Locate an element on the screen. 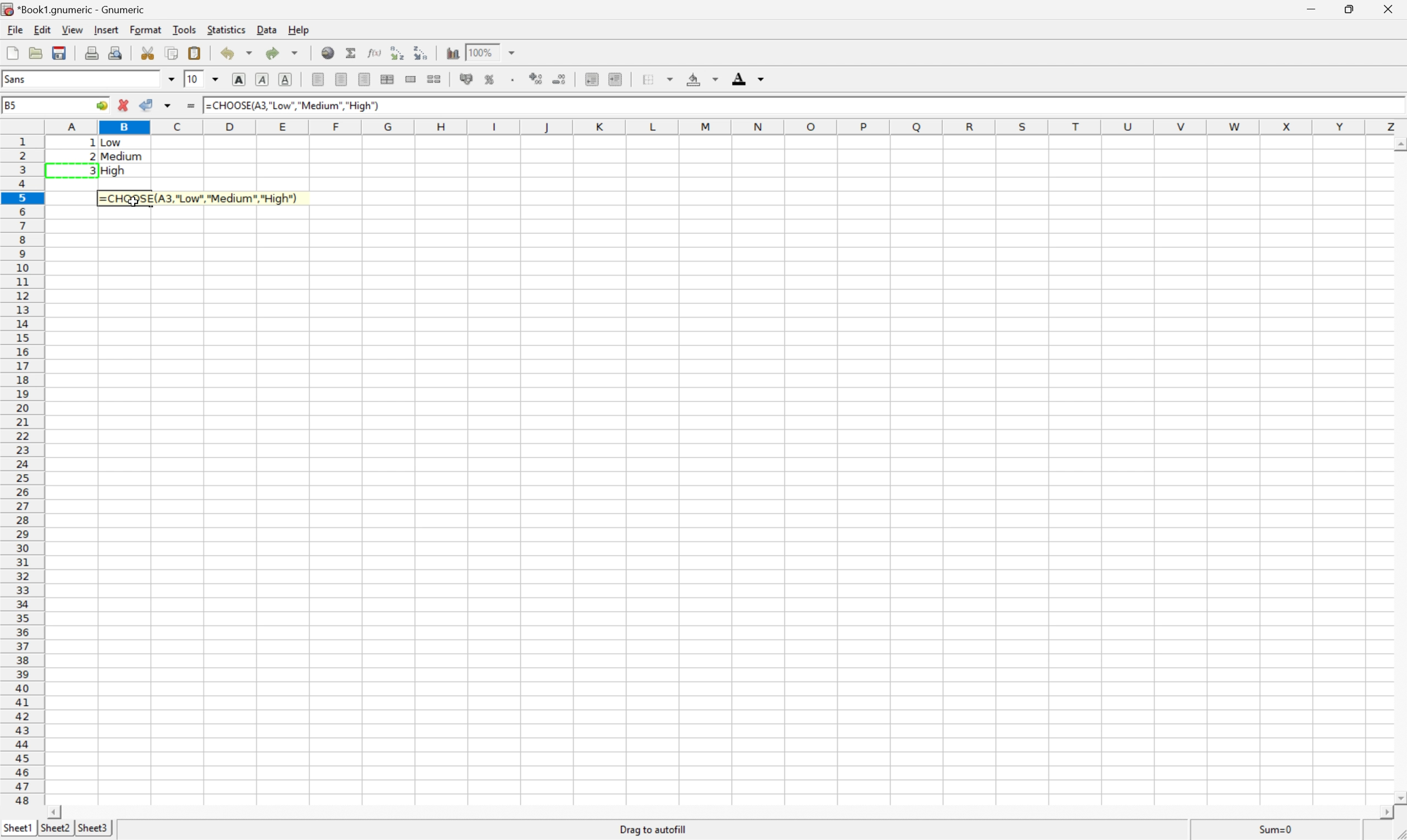  Close is located at coordinates (1391, 10).